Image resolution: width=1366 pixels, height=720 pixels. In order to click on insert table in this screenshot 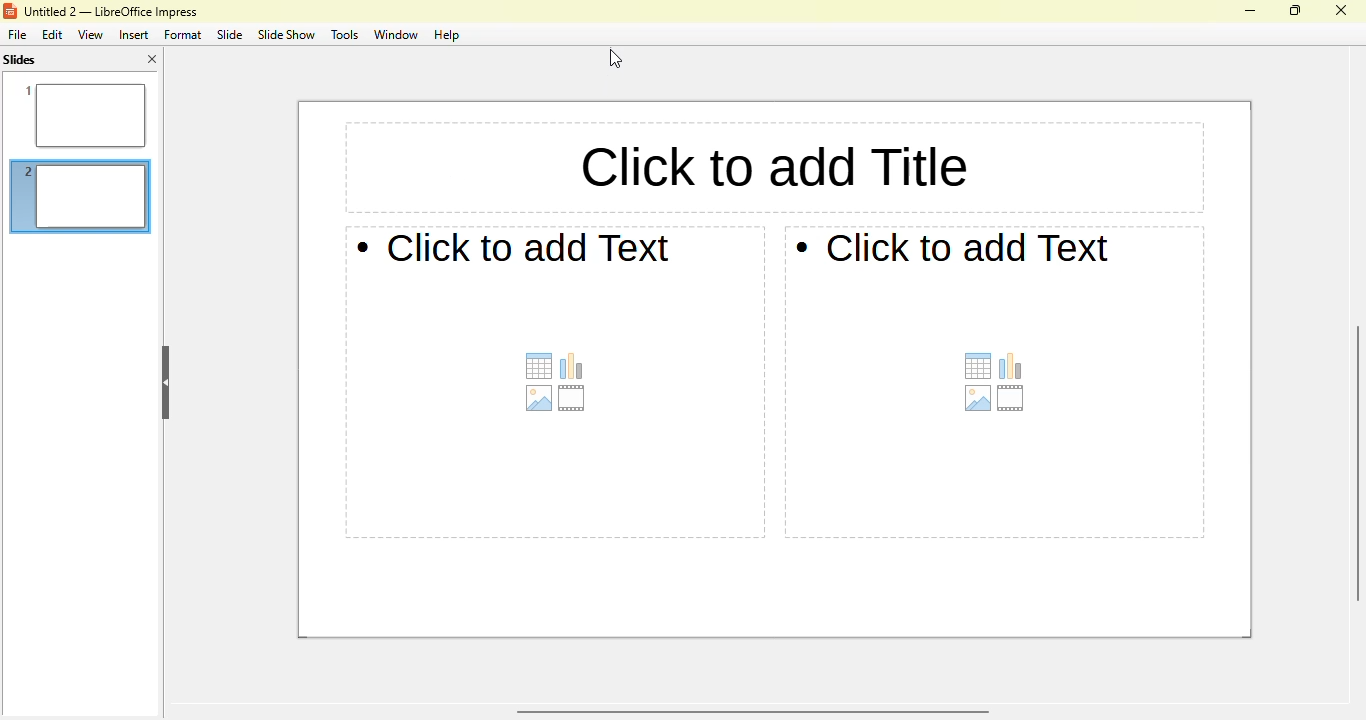, I will do `click(978, 366)`.